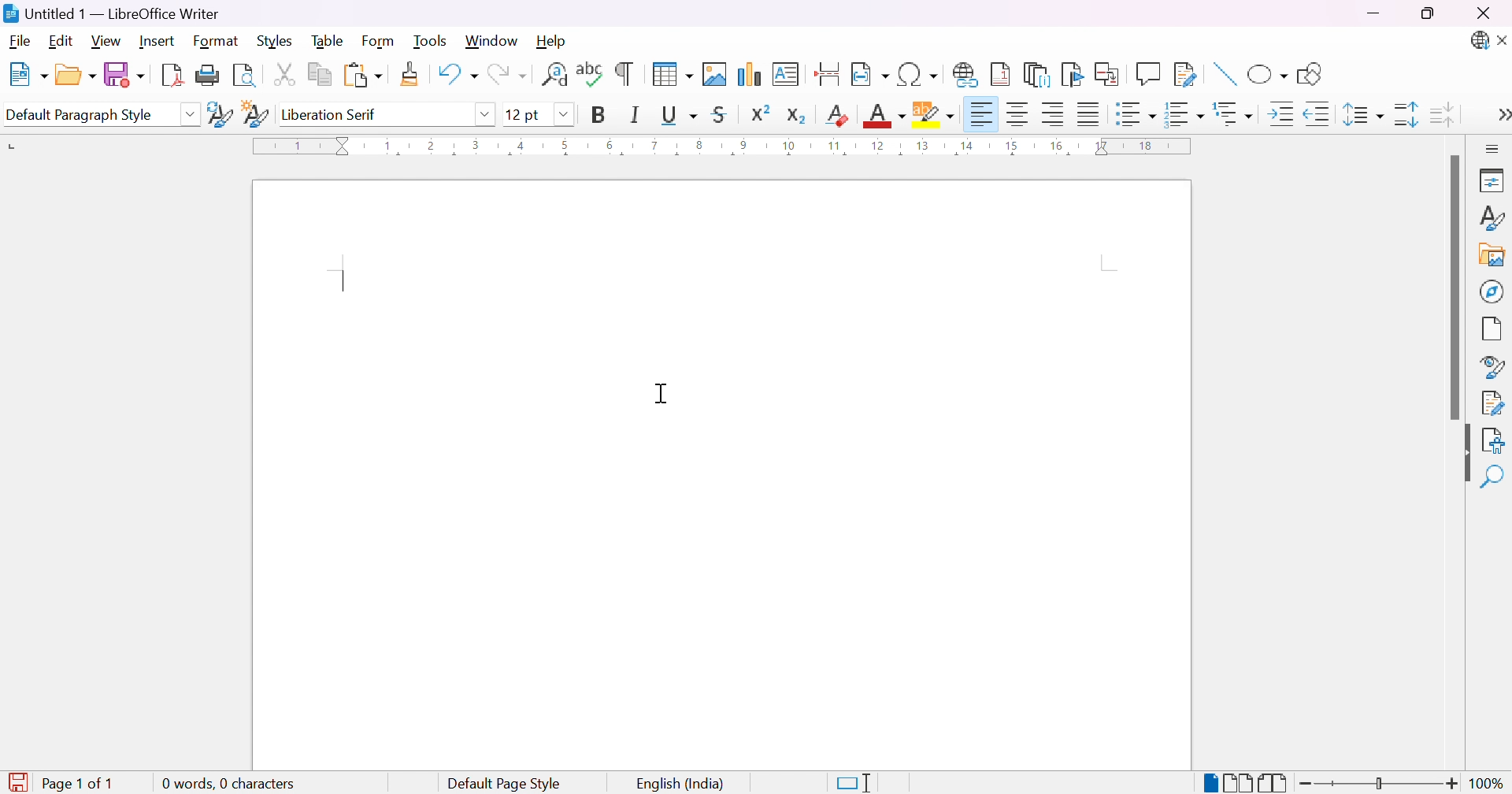 The height and width of the screenshot is (794, 1512). What do you see at coordinates (1377, 785) in the screenshot?
I see `Slider` at bounding box center [1377, 785].